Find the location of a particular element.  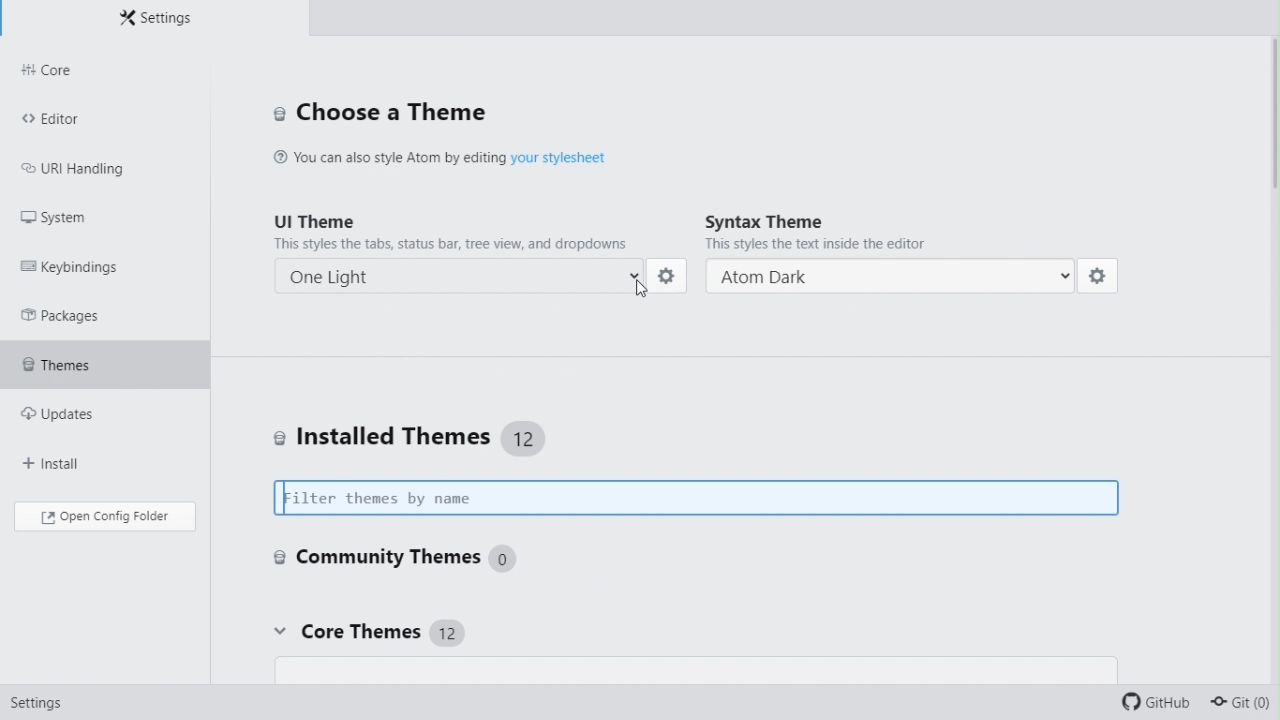

URI Handling is located at coordinates (90, 173).